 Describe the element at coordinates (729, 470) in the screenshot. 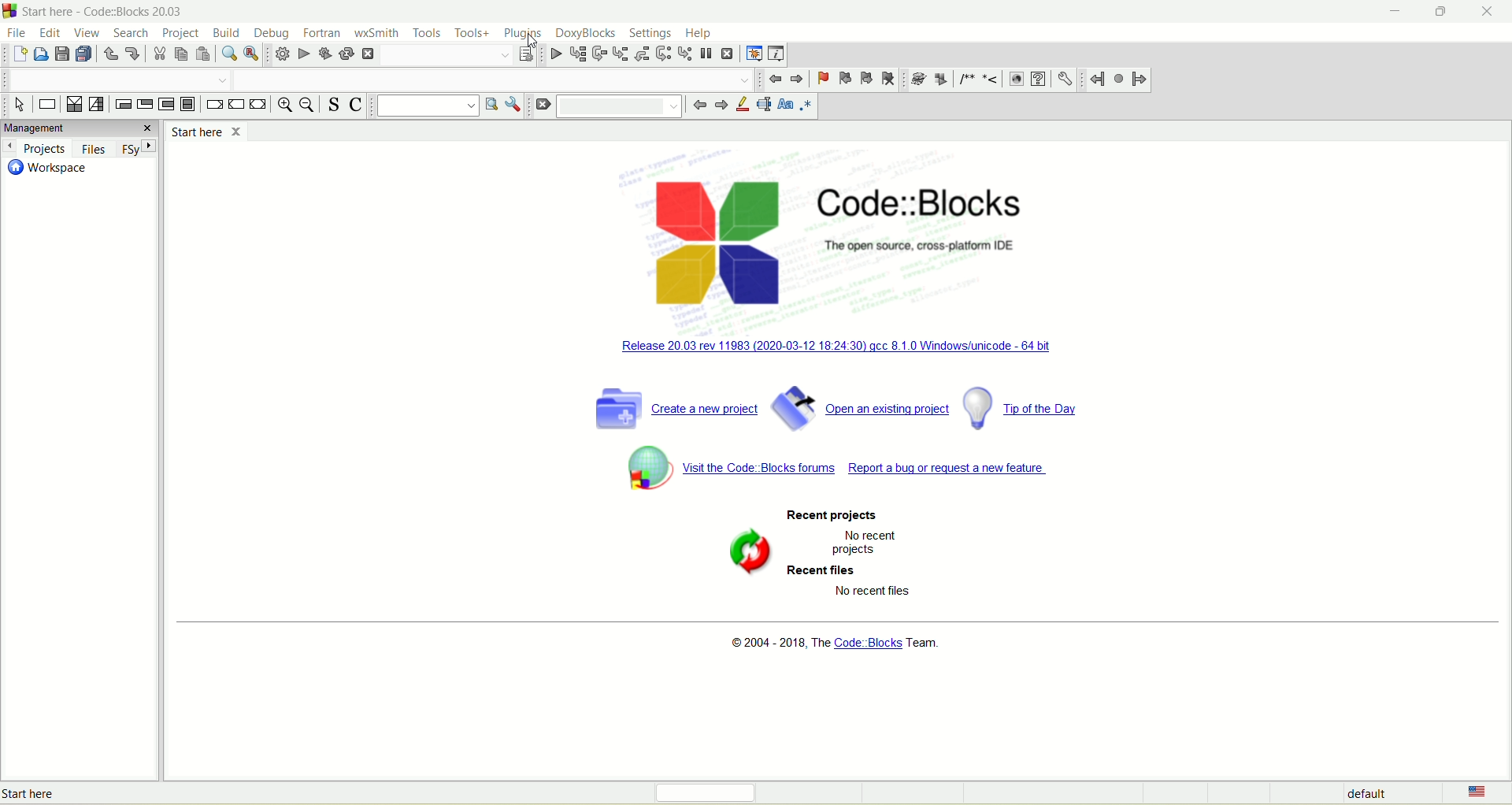

I see `block forums` at that location.